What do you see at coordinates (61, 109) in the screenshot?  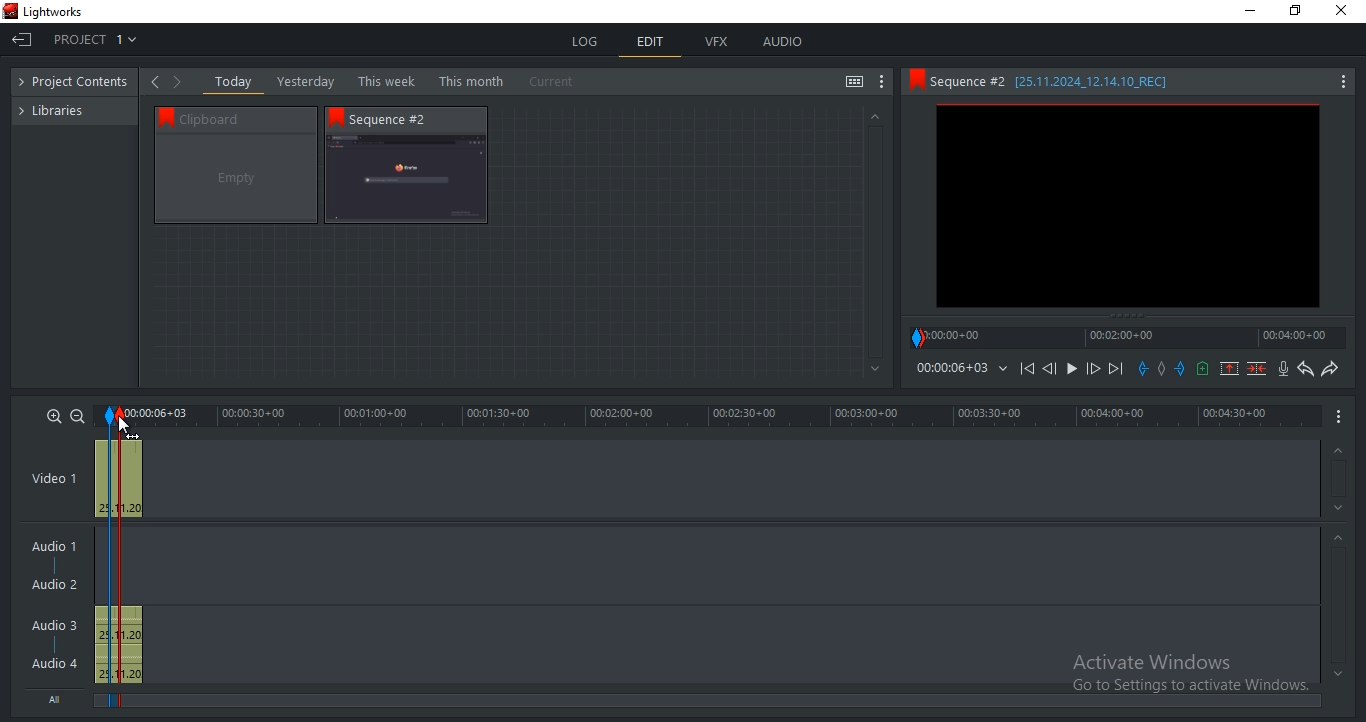 I see `libraries` at bounding box center [61, 109].